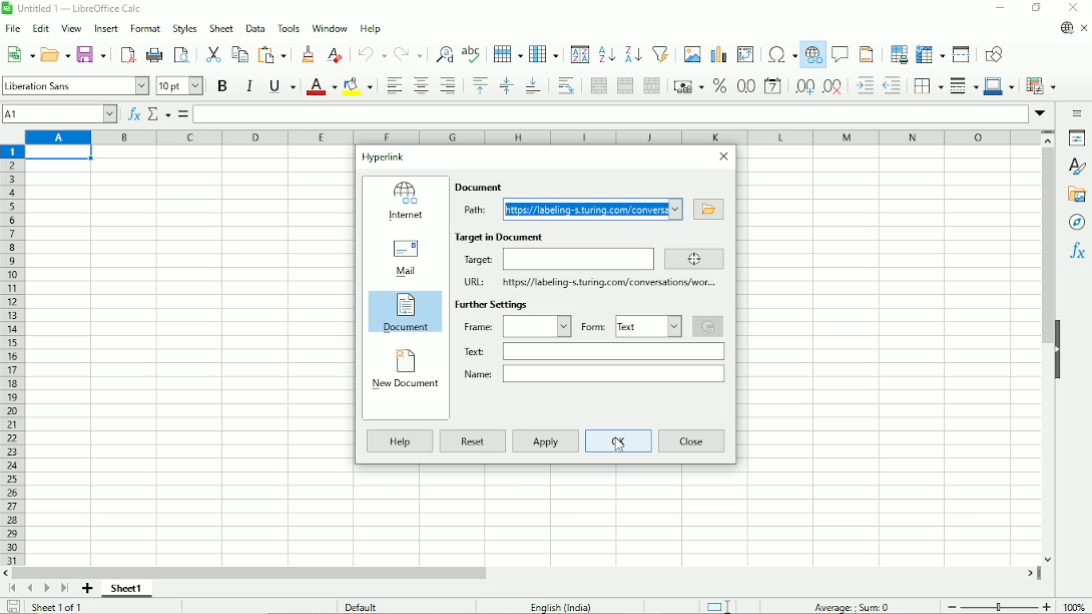 The width and height of the screenshot is (1092, 614). Describe the element at coordinates (72, 27) in the screenshot. I see `view` at that location.